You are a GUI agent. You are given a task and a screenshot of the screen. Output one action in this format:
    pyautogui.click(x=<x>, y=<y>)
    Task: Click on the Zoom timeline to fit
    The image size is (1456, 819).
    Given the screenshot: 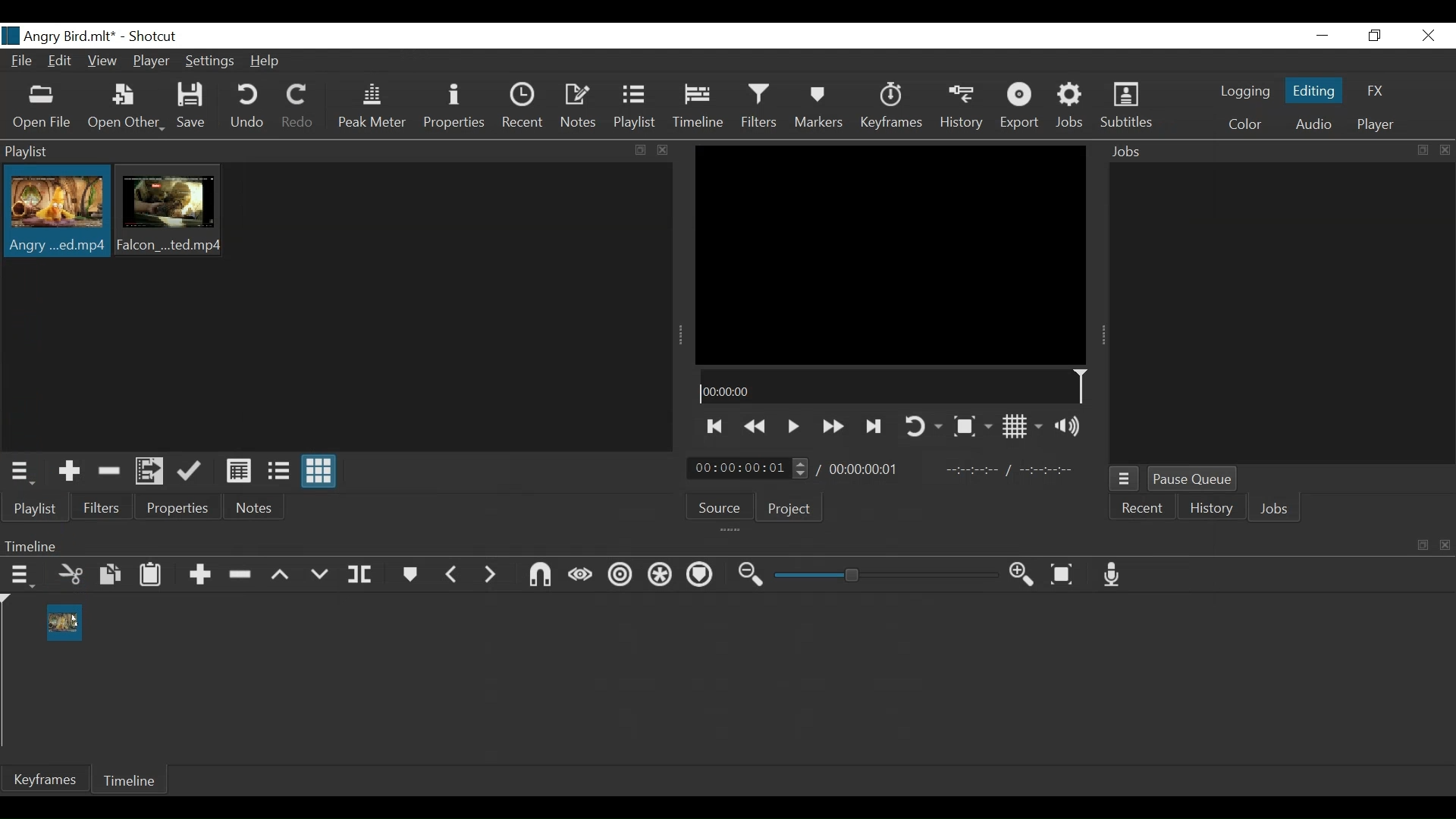 What is the action you would take?
    pyautogui.click(x=1063, y=574)
    